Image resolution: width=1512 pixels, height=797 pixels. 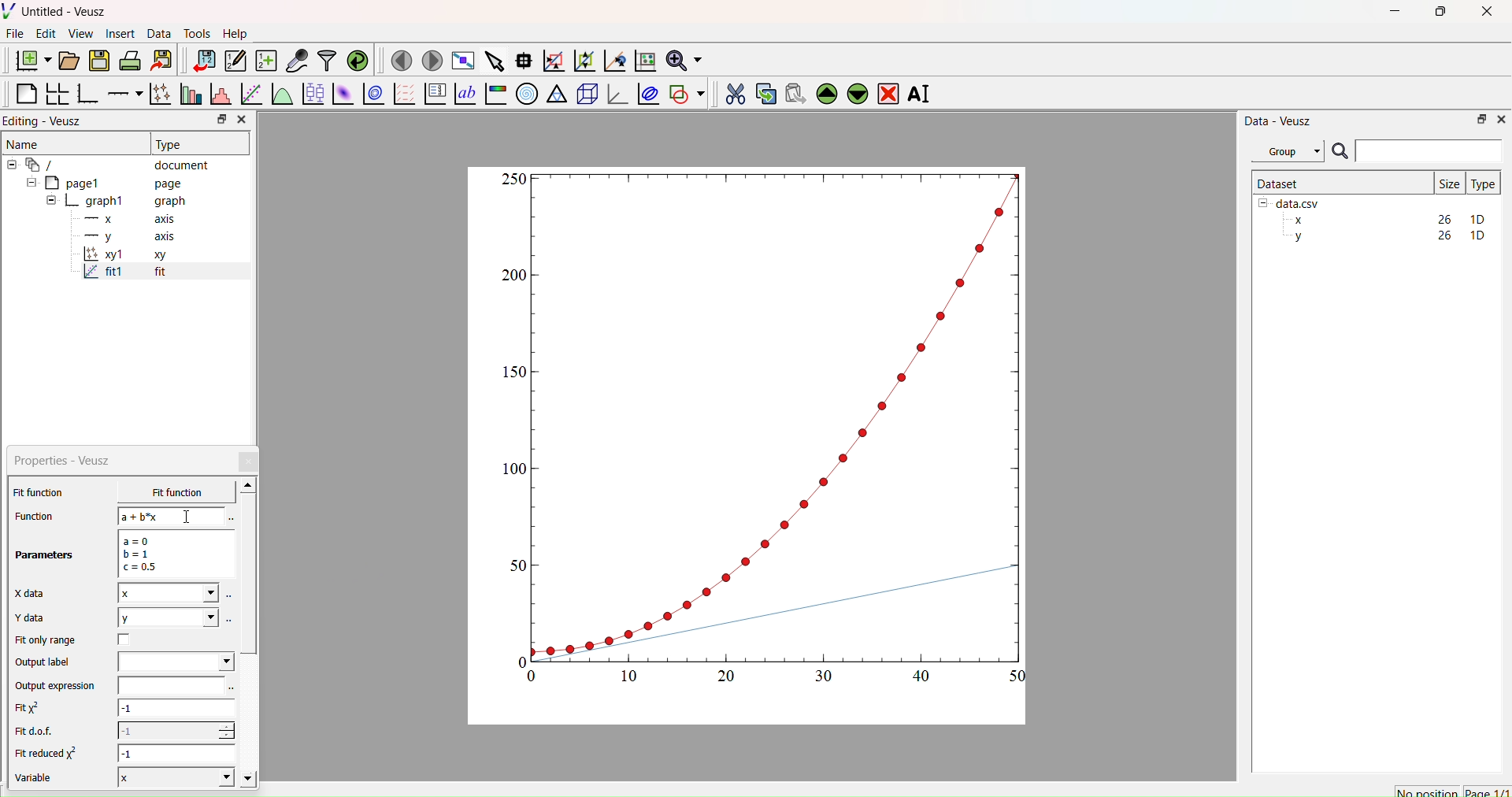 I want to click on Plot a 2d dataset as image, so click(x=342, y=94).